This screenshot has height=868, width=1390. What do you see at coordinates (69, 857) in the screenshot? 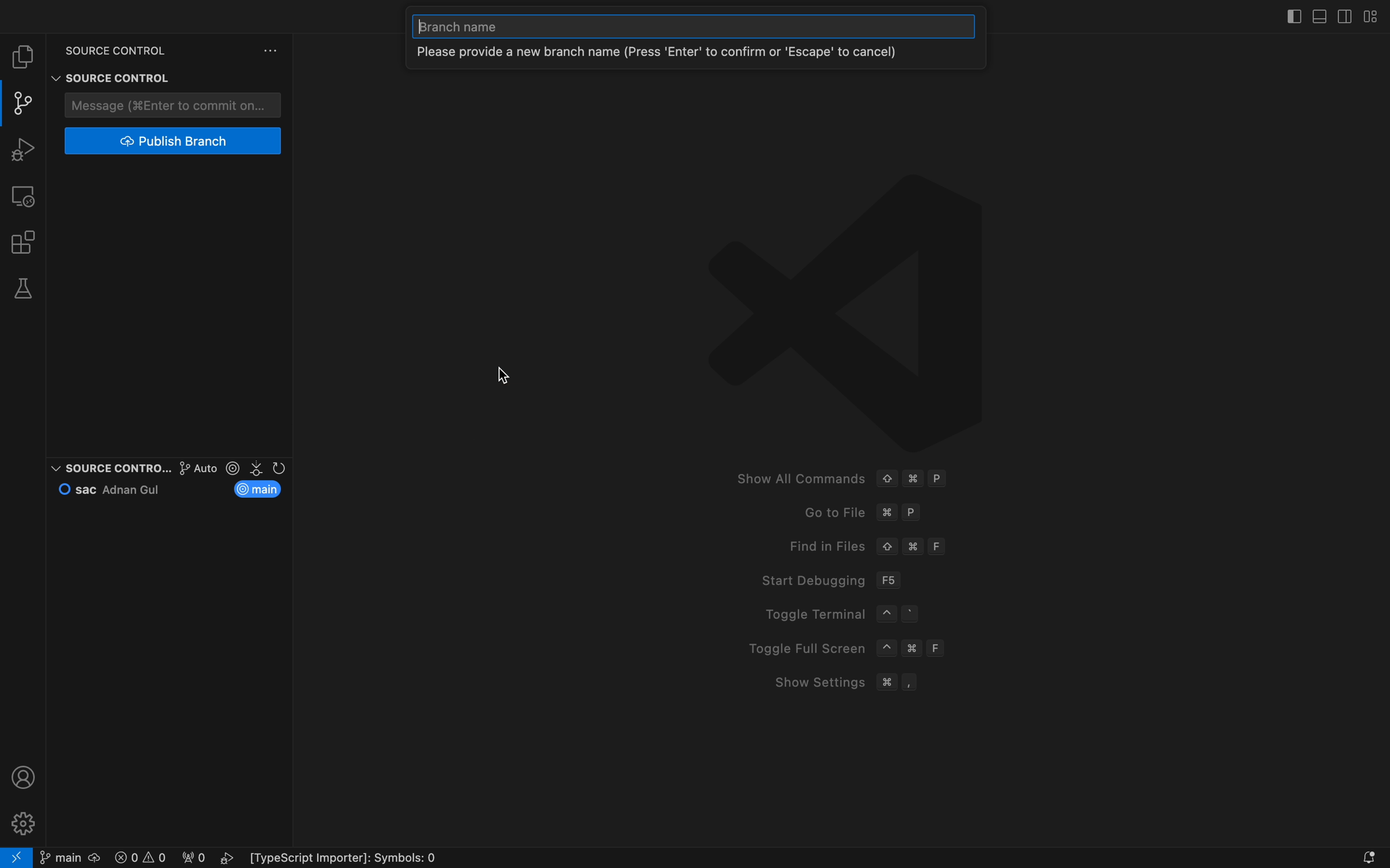
I see `git branch` at bounding box center [69, 857].